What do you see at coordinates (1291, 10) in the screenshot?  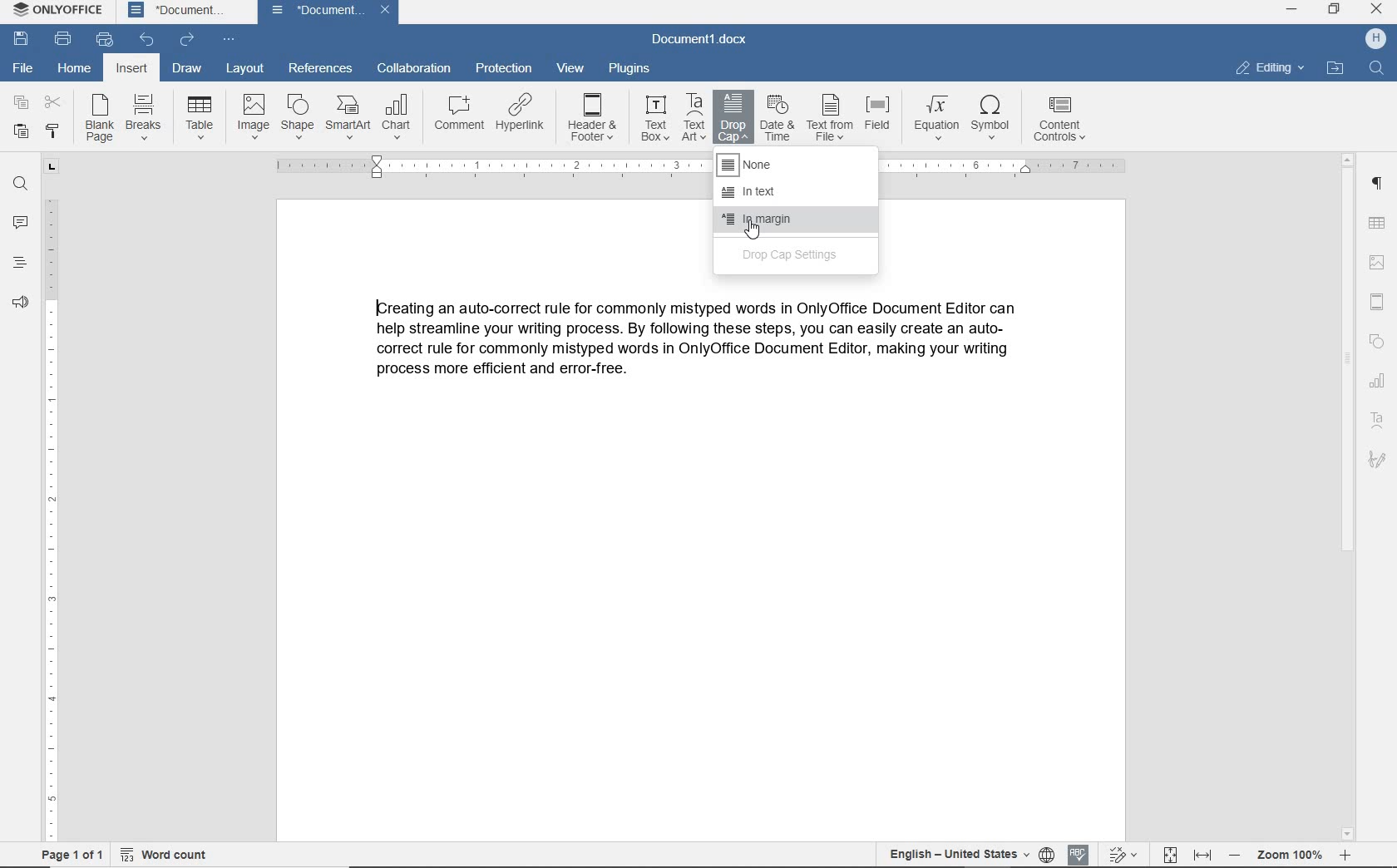 I see `minimize` at bounding box center [1291, 10].